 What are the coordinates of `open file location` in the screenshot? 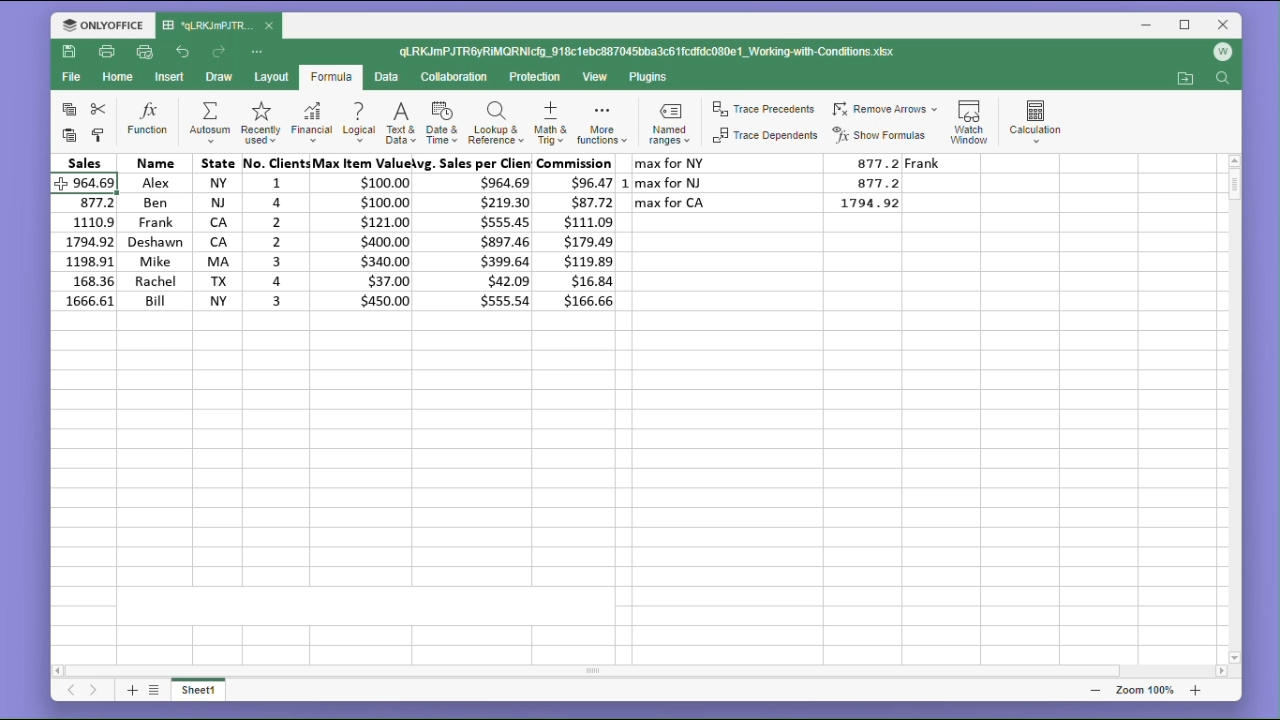 It's located at (1185, 79).